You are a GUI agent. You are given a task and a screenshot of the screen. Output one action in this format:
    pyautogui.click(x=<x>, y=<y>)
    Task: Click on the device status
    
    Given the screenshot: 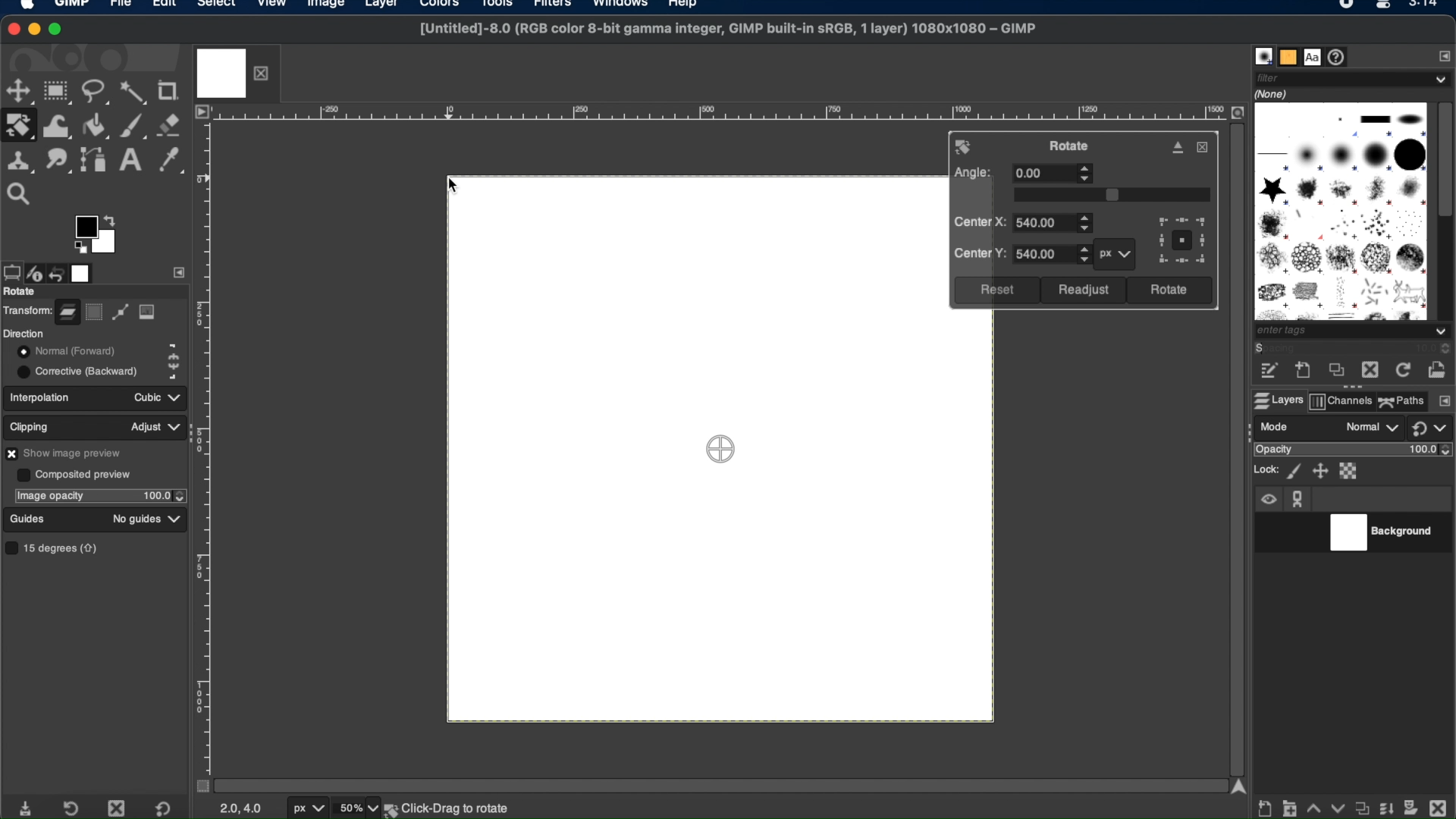 What is the action you would take?
    pyautogui.click(x=36, y=271)
    